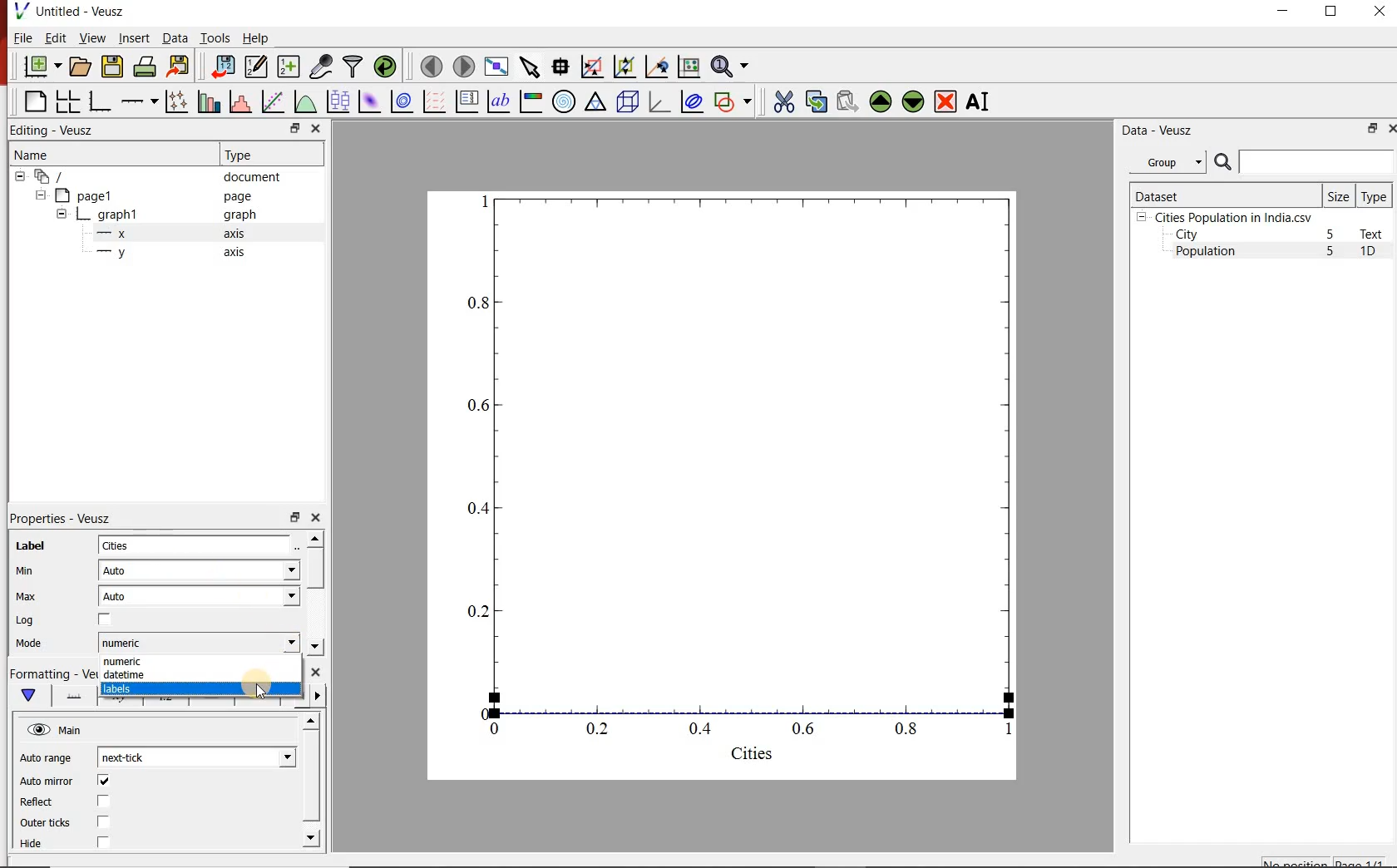 This screenshot has height=868, width=1397. I want to click on File, so click(23, 37).